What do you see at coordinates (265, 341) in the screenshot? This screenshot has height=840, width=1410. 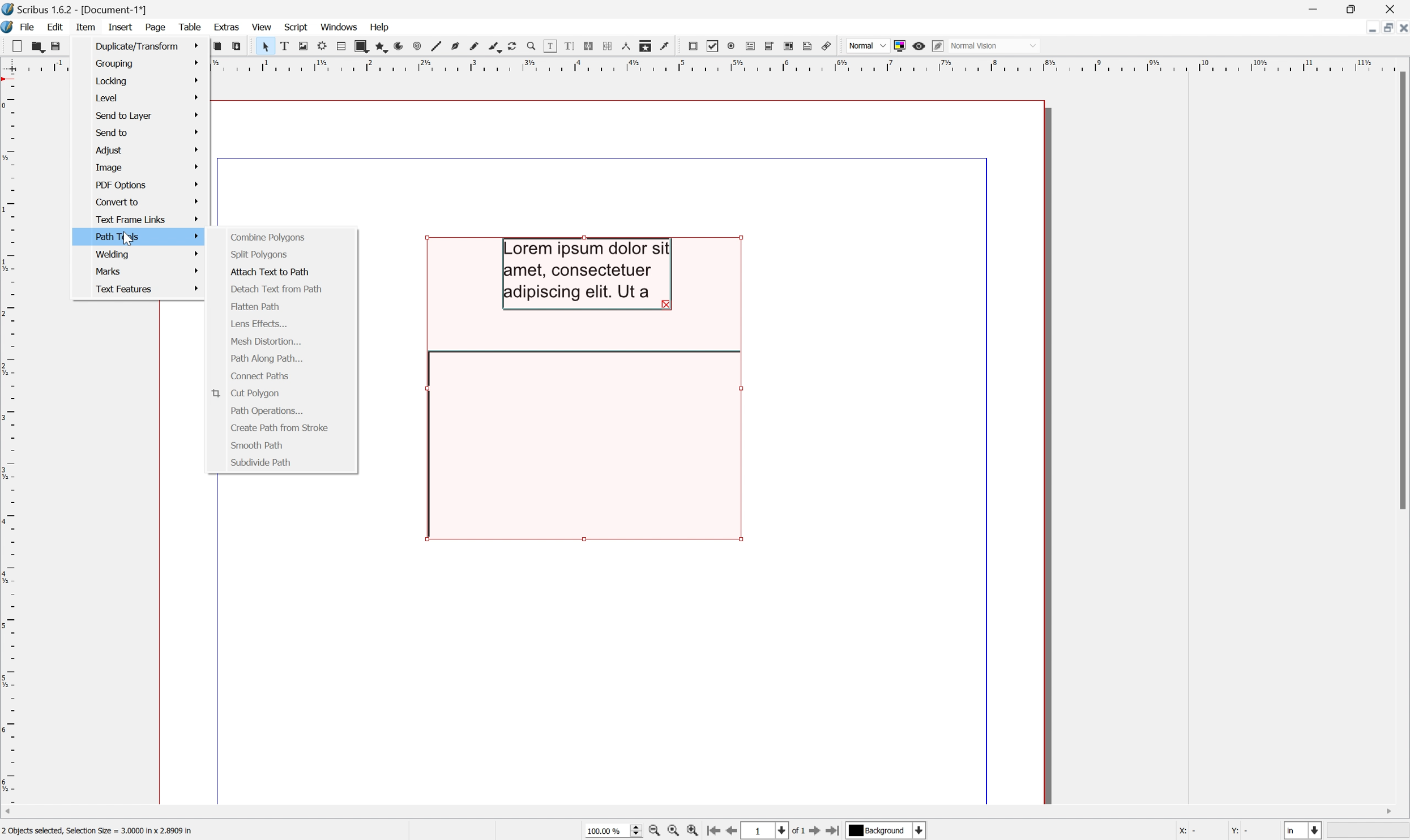 I see `Mesh distortion` at bounding box center [265, 341].